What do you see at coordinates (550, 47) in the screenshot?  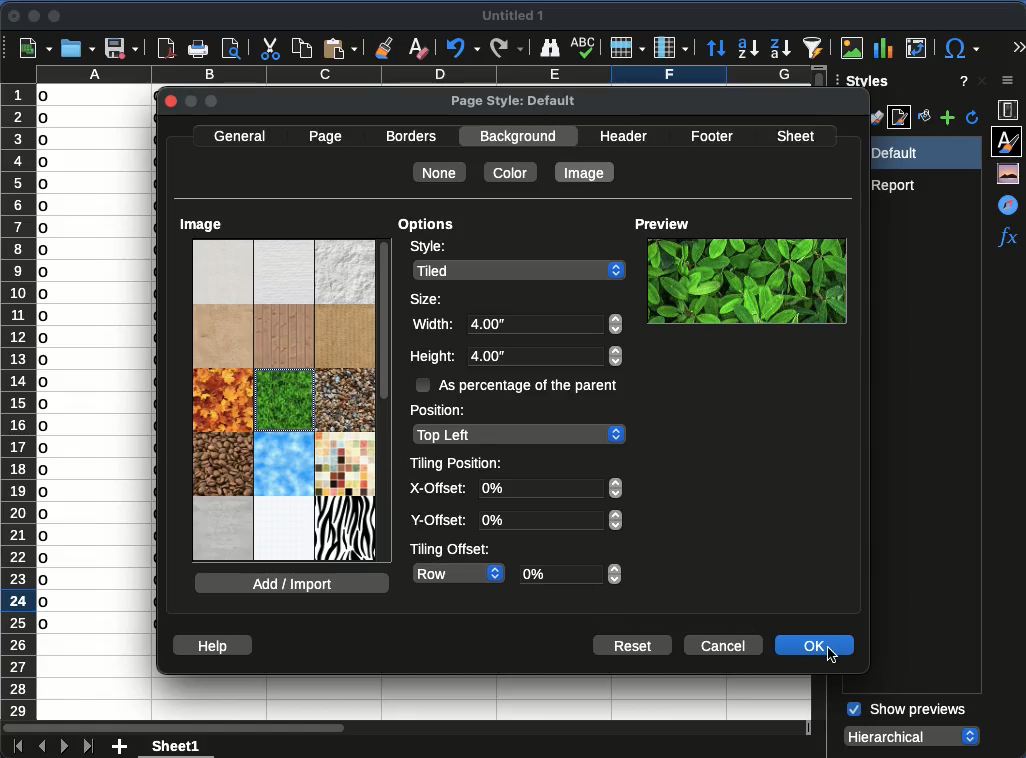 I see `finder` at bounding box center [550, 47].